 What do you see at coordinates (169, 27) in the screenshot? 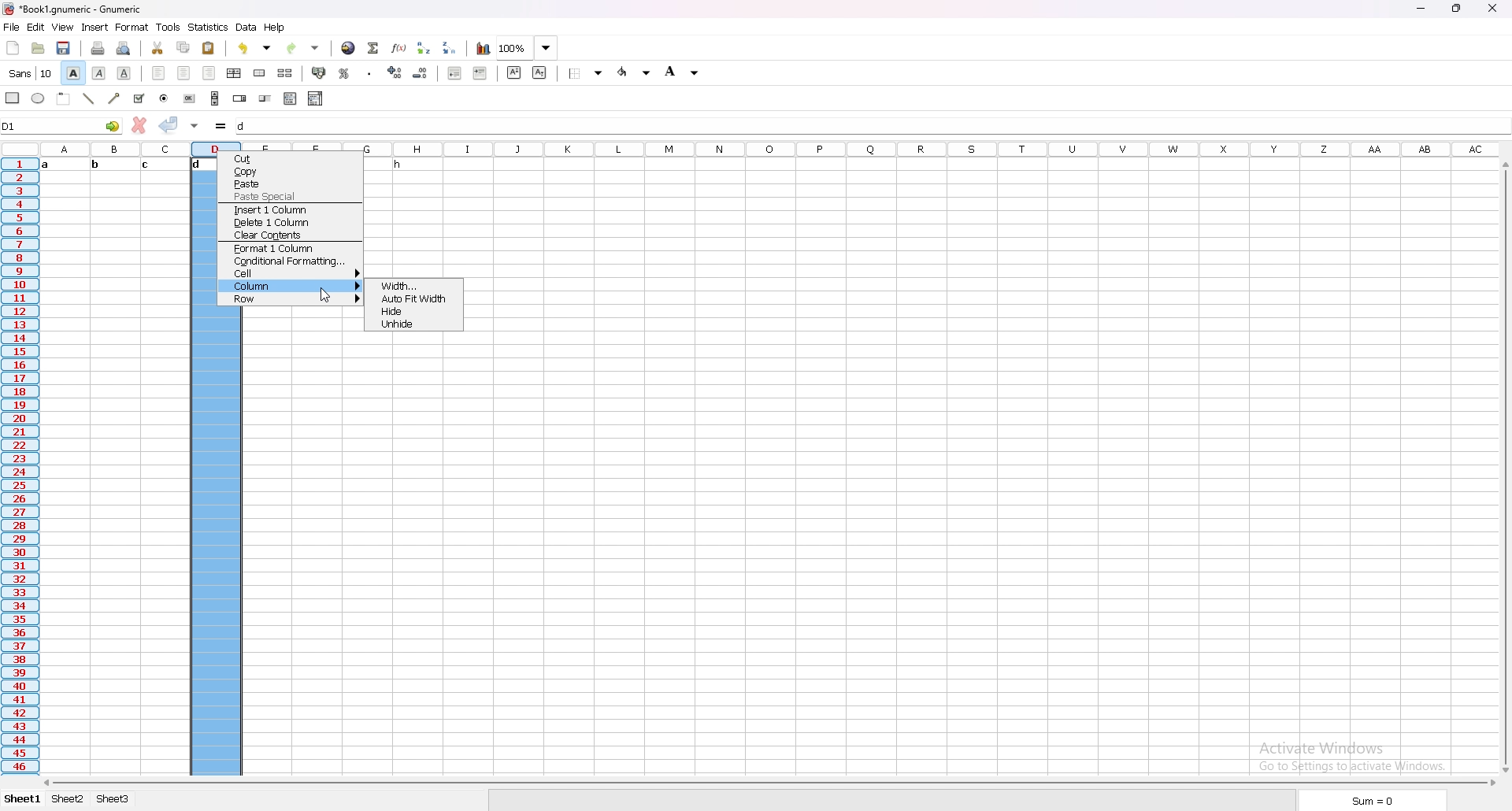
I see `tools` at bounding box center [169, 27].